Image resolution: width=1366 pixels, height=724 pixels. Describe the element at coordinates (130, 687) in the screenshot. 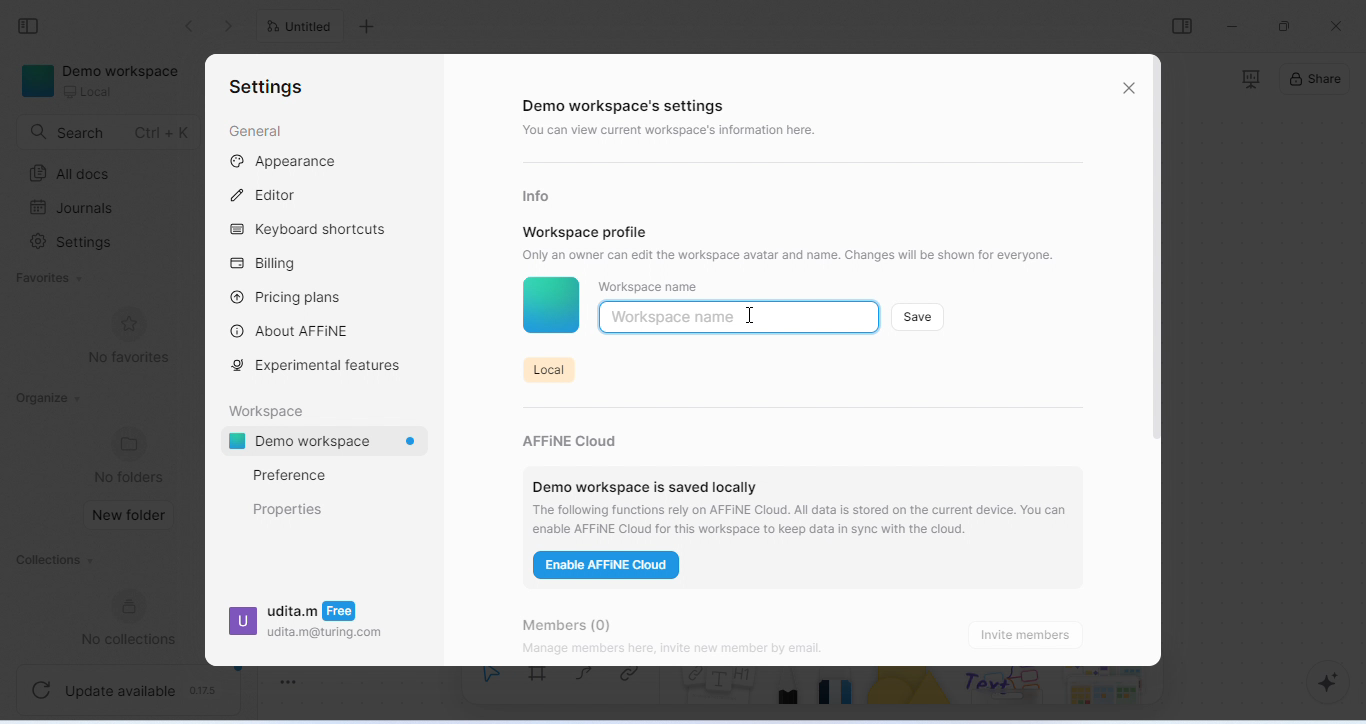

I see `update available` at that location.